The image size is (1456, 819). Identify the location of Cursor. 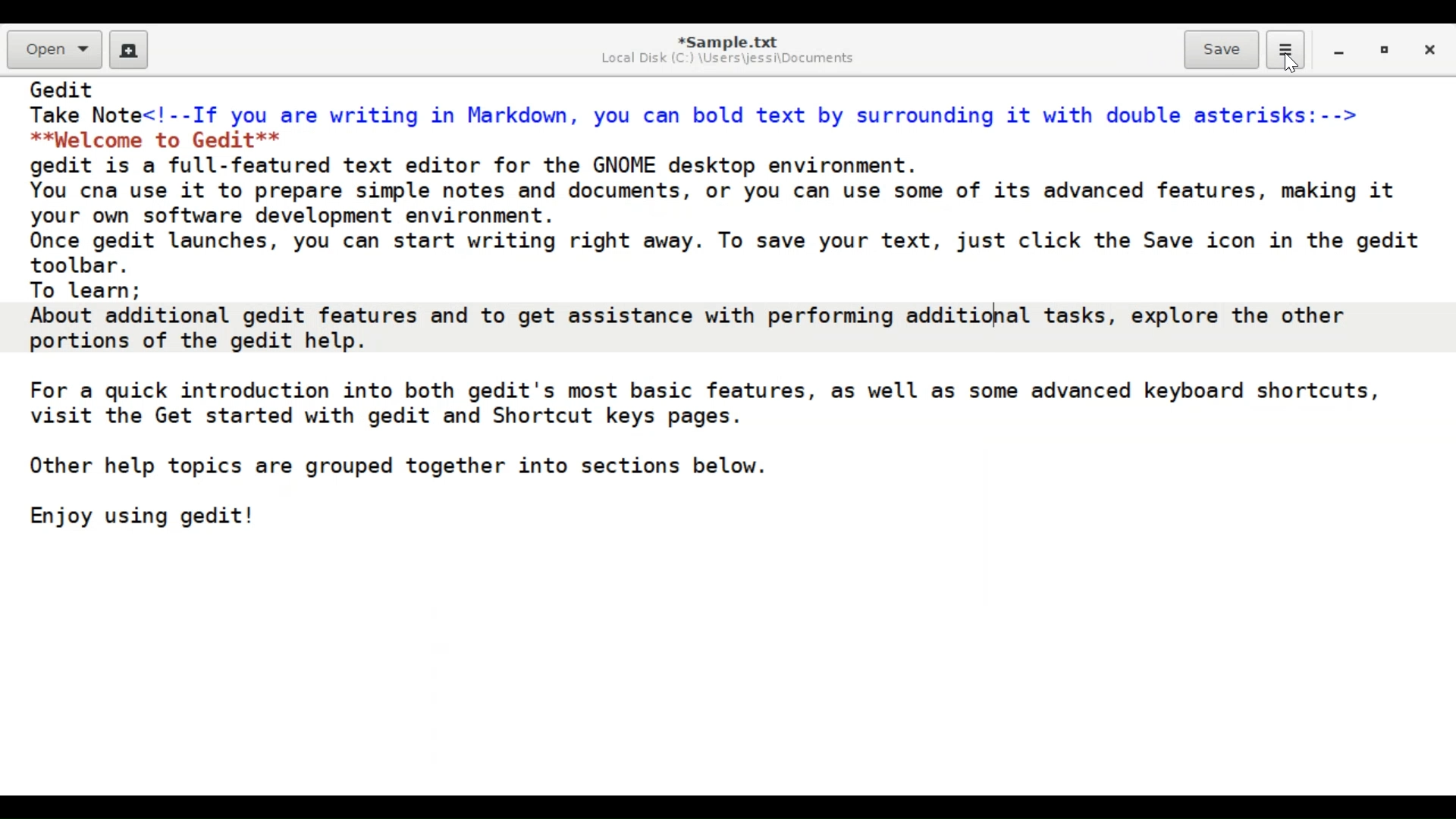
(1291, 65).